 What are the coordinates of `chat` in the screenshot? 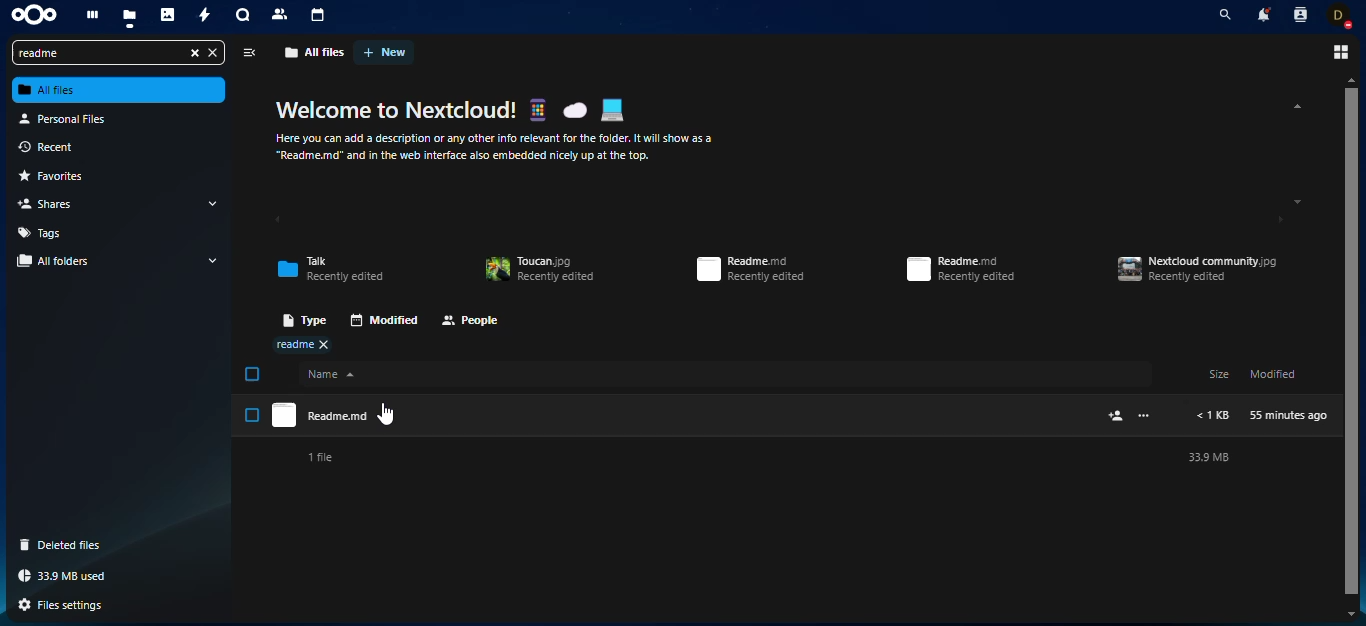 It's located at (243, 17).